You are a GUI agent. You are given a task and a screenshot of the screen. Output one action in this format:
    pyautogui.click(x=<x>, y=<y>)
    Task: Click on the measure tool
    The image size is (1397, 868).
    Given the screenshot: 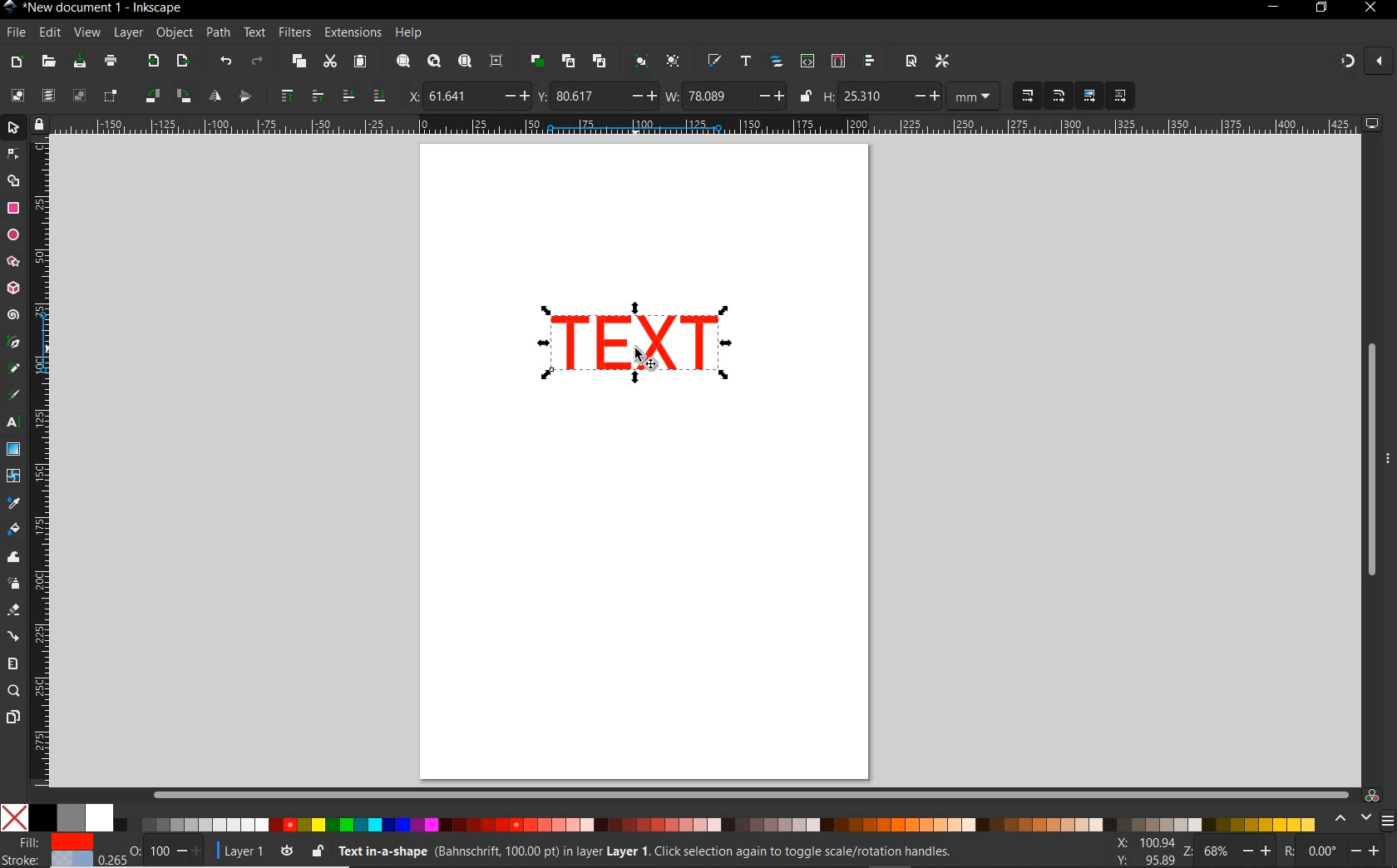 What is the action you would take?
    pyautogui.click(x=13, y=663)
    